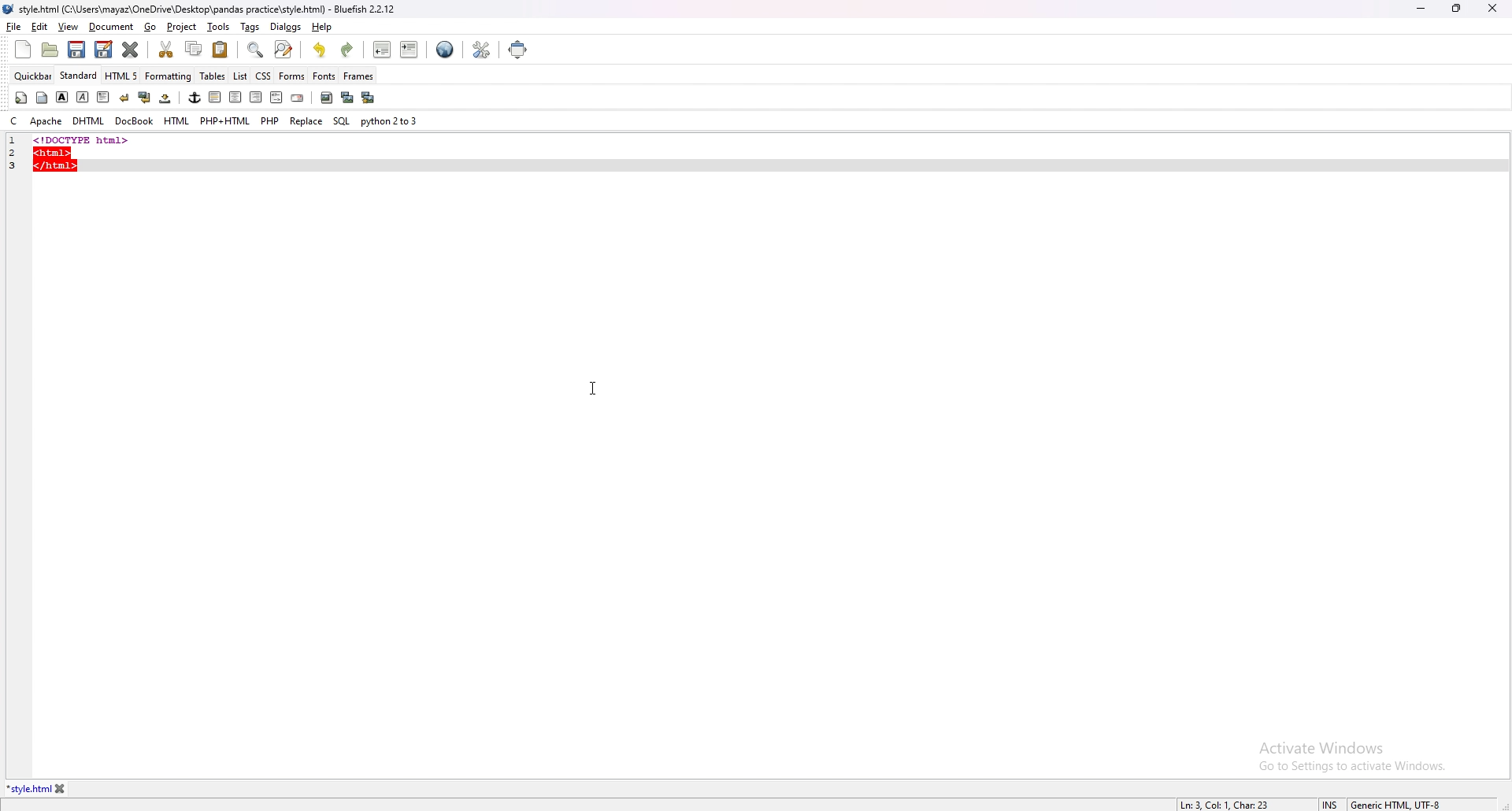  Describe the element at coordinates (18, 152) in the screenshot. I see `line number` at that location.